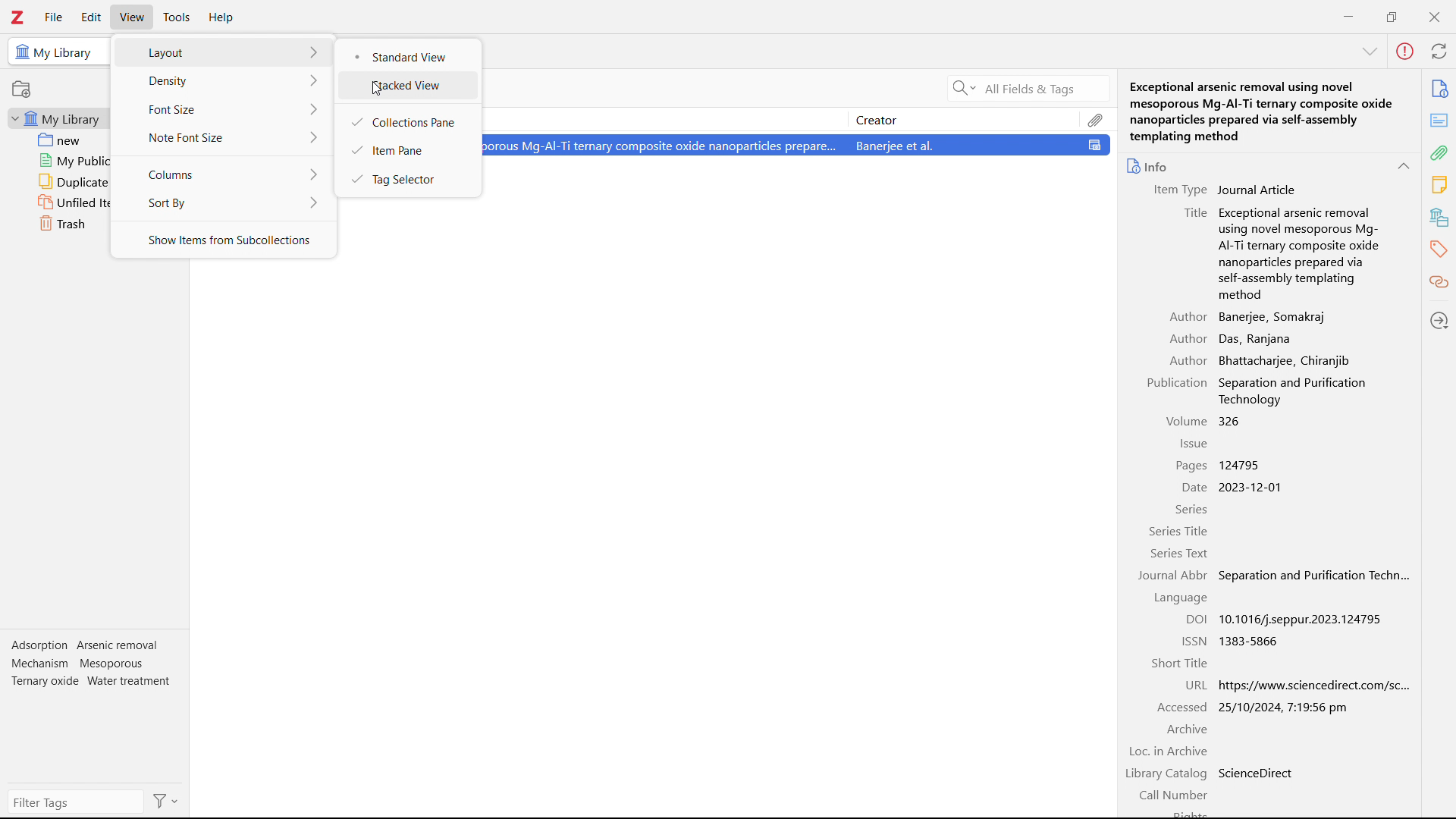 The width and height of the screenshot is (1456, 819). I want to click on help, so click(223, 17).